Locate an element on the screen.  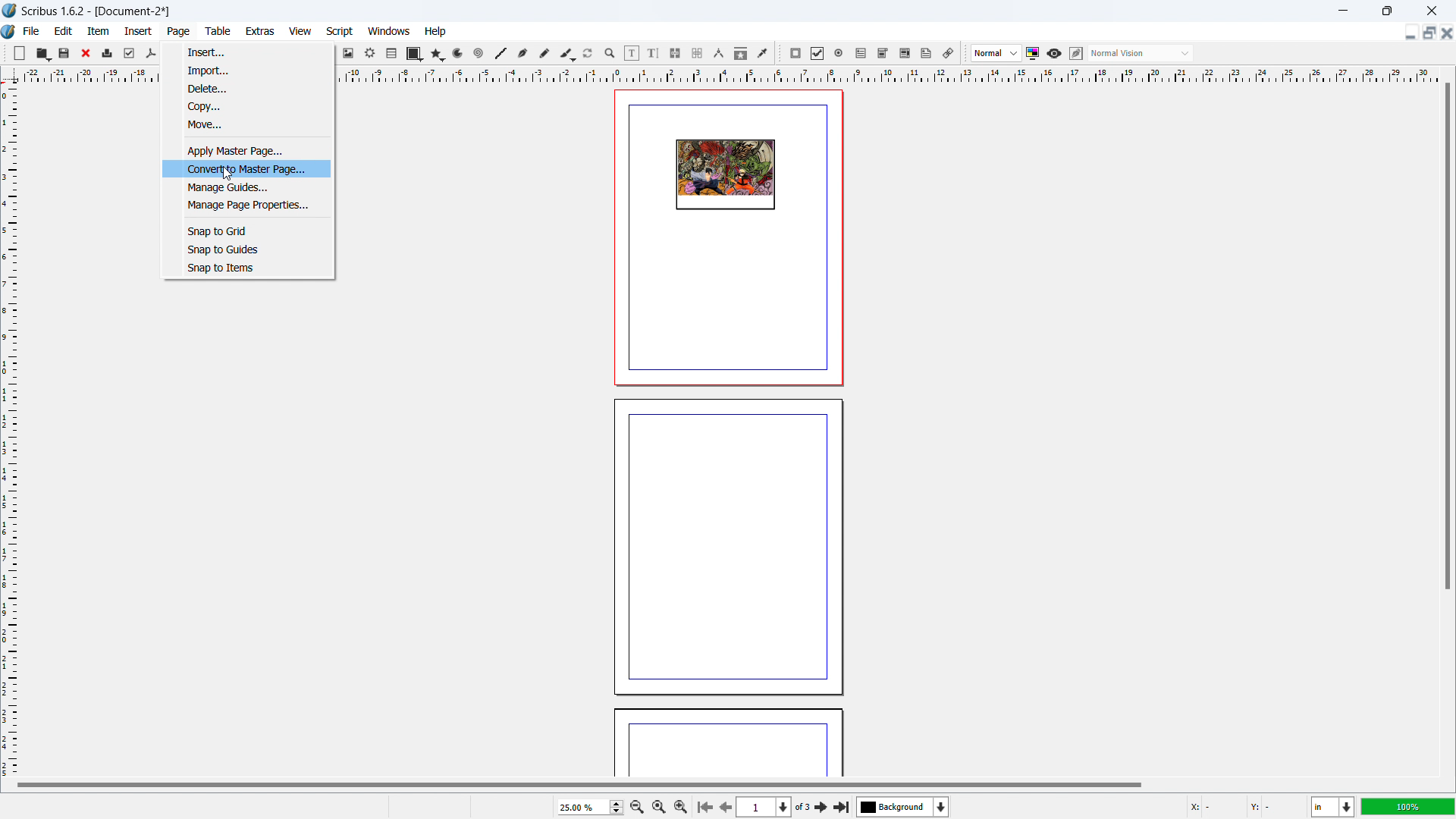
polygon is located at coordinates (438, 54).